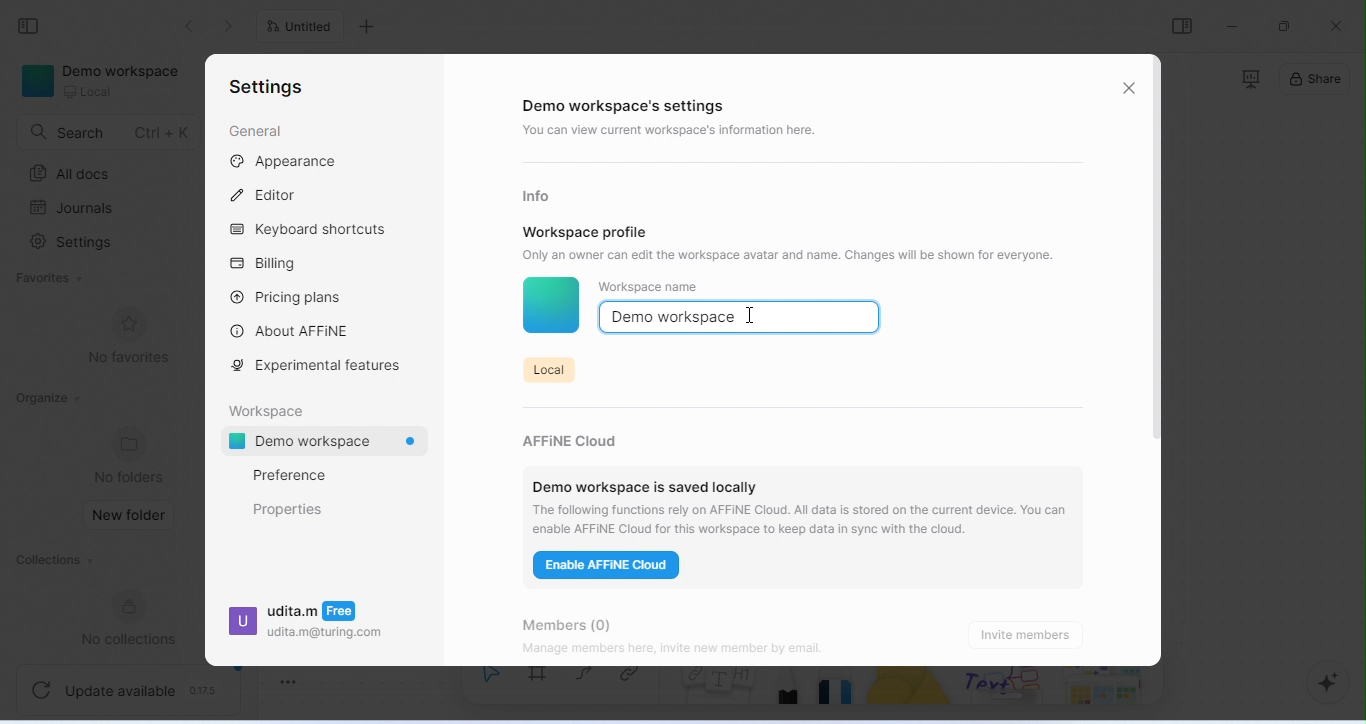 This screenshot has height=724, width=1366. Describe the element at coordinates (490, 686) in the screenshot. I see `select` at that location.